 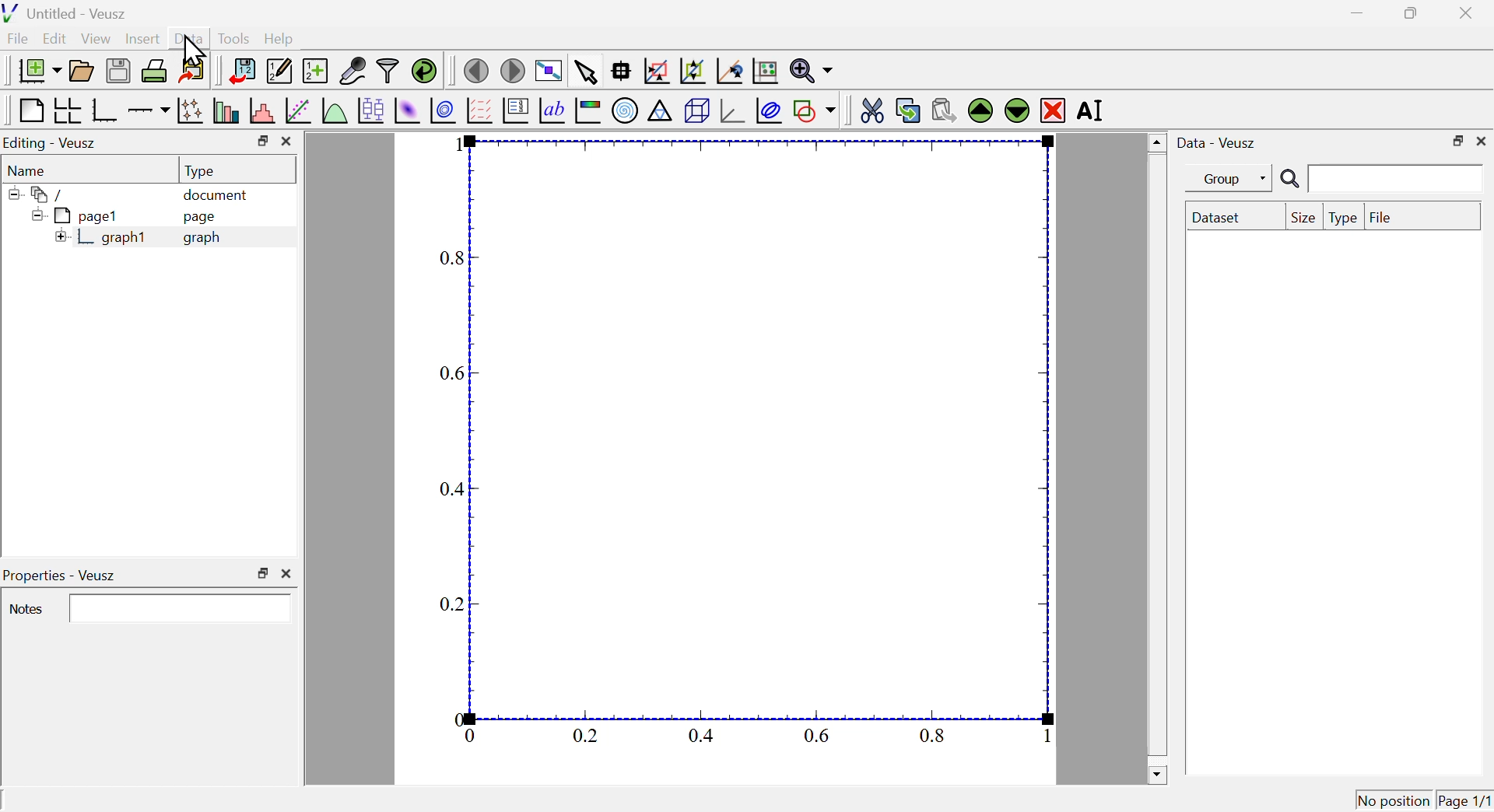 I want to click on 3d graph, so click(x=732, y=111).